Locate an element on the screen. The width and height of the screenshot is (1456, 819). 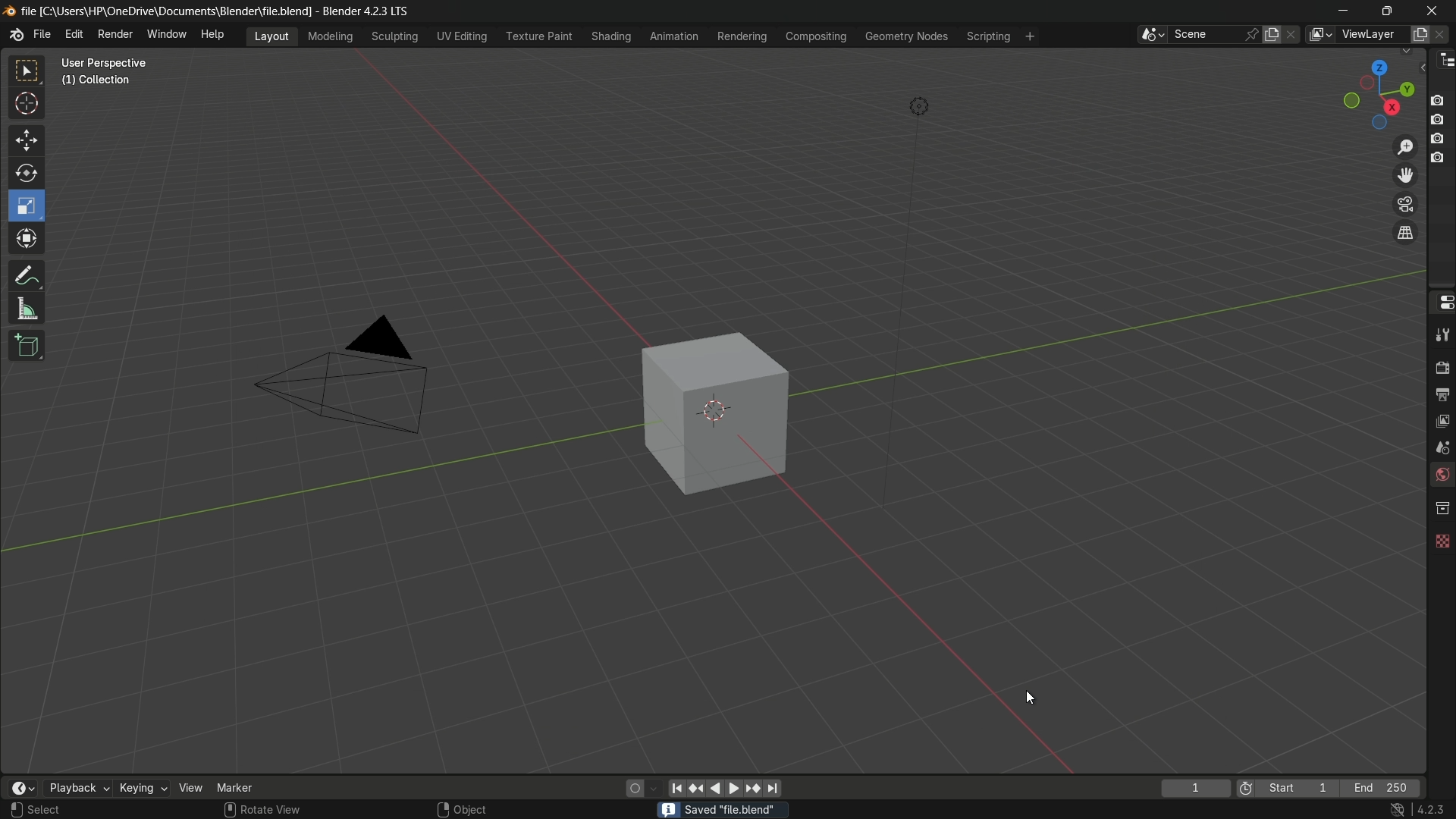
modeling menu is located at coordinates (331, 35).